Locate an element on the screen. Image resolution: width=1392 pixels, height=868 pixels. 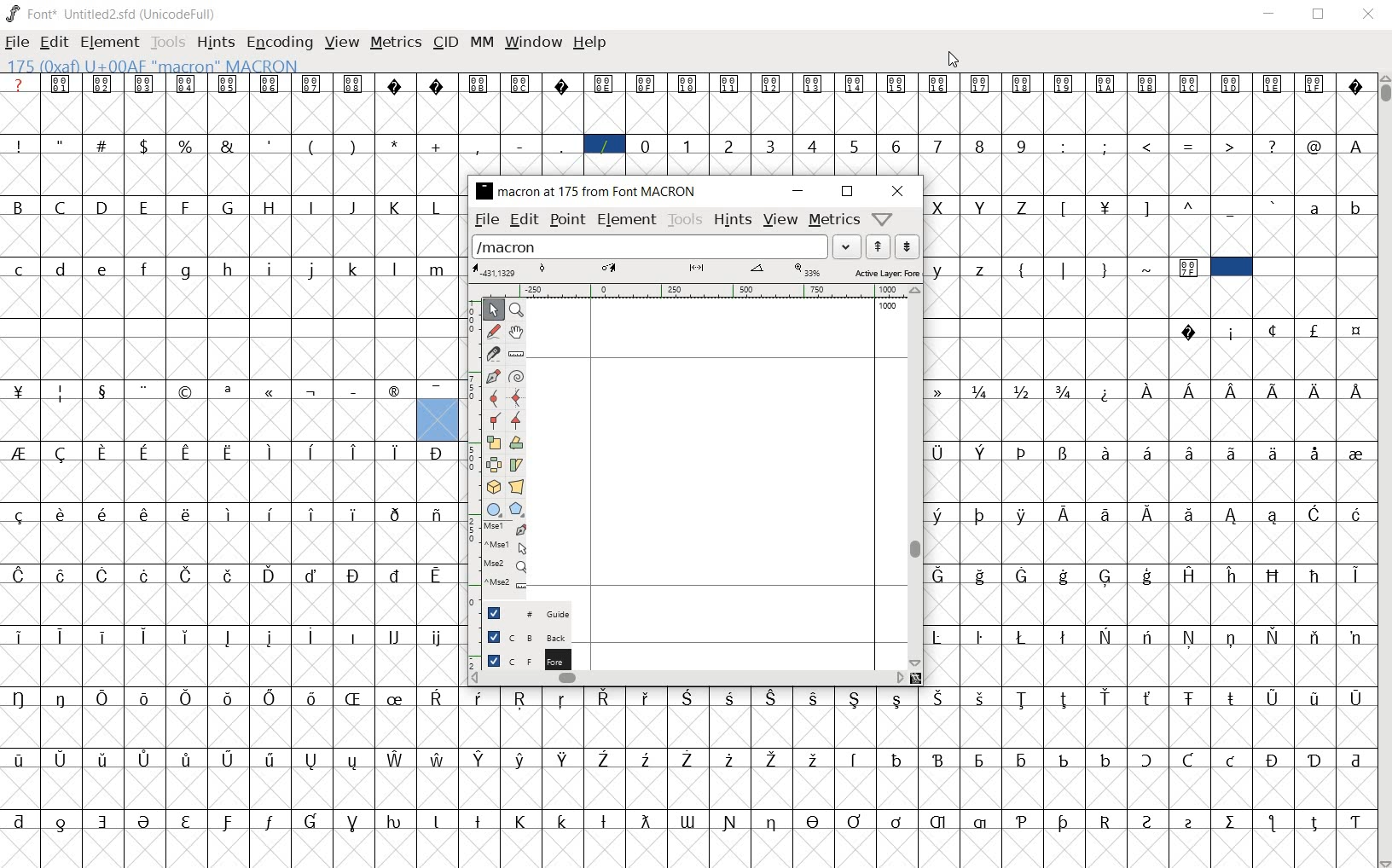
Symbol is located at coordinates (1187, 574).